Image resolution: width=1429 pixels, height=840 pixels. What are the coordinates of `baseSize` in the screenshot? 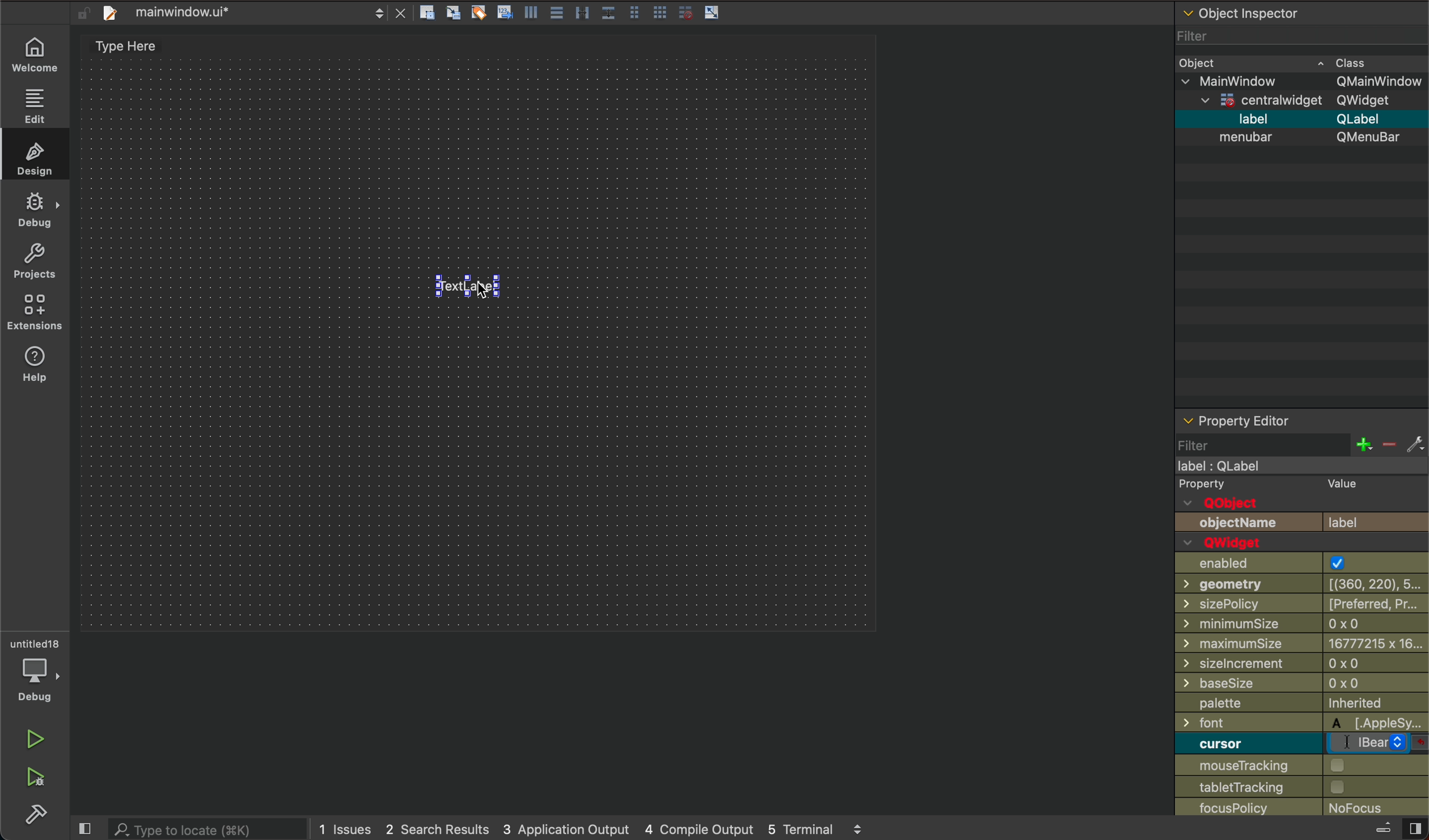 It's located at (1236, 682).